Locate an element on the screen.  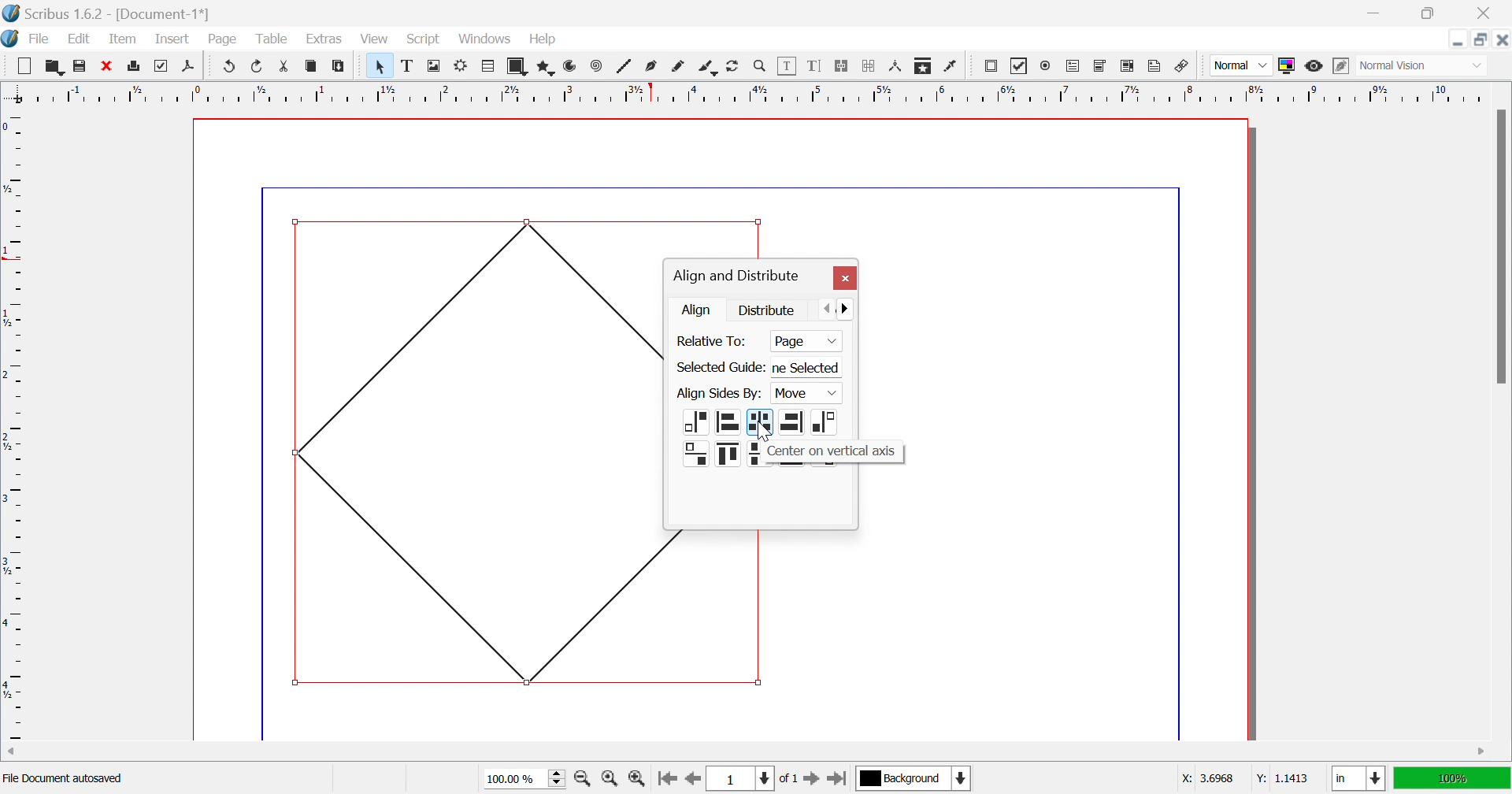
Link text frames is located at coordinates (840, 66).